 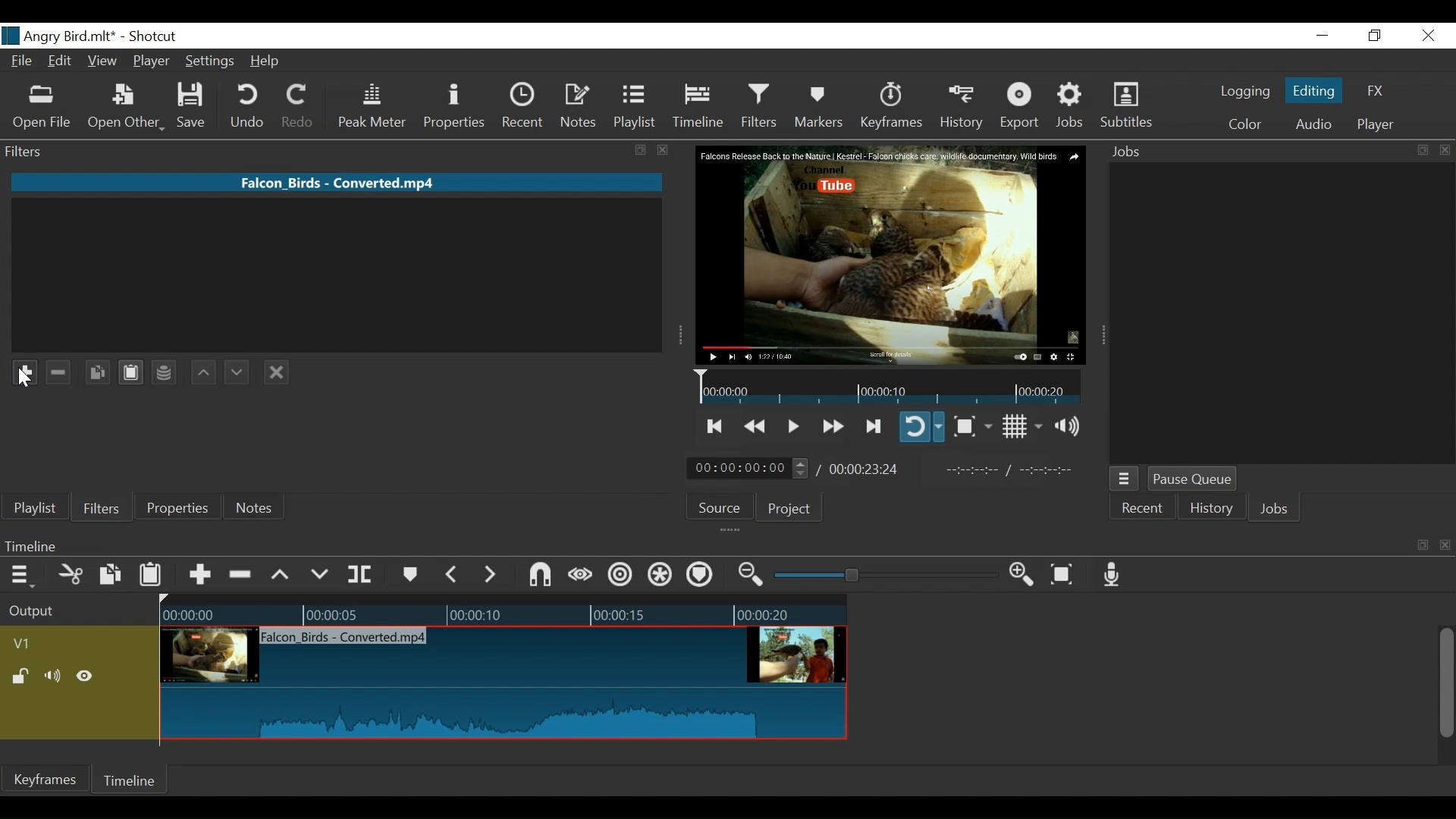 What do you see at coordinates (58, 372) in the screenshot?
I see `Remove Selected Filter` at bounding box center [58, 372].